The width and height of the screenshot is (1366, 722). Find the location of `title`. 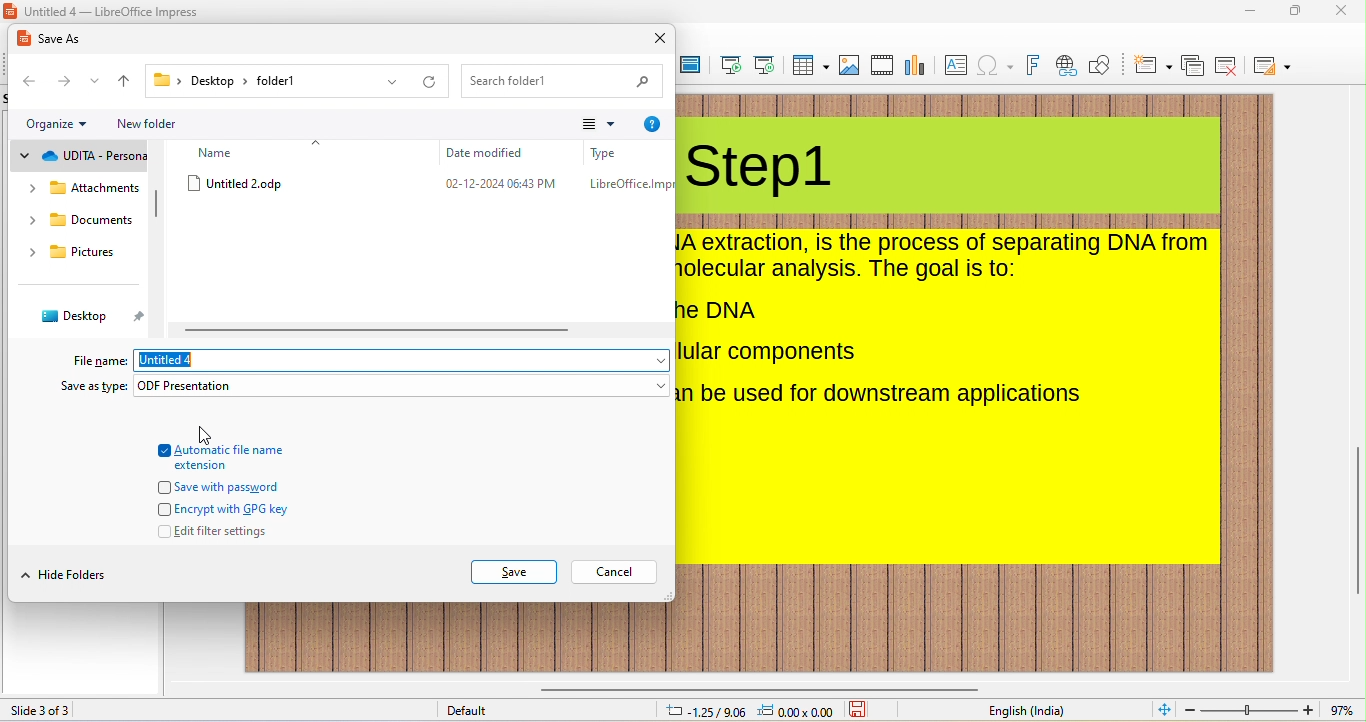

title is located at coordinates (760, 171).